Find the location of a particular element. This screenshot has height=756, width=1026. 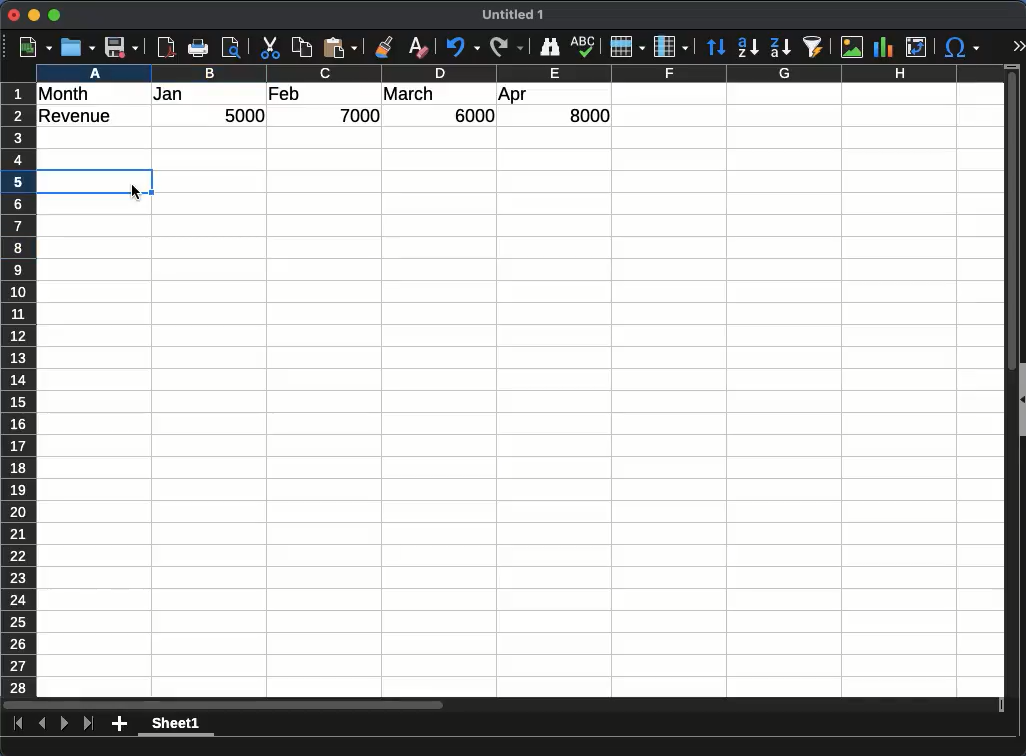

undo is located at coordinates (462, 47).